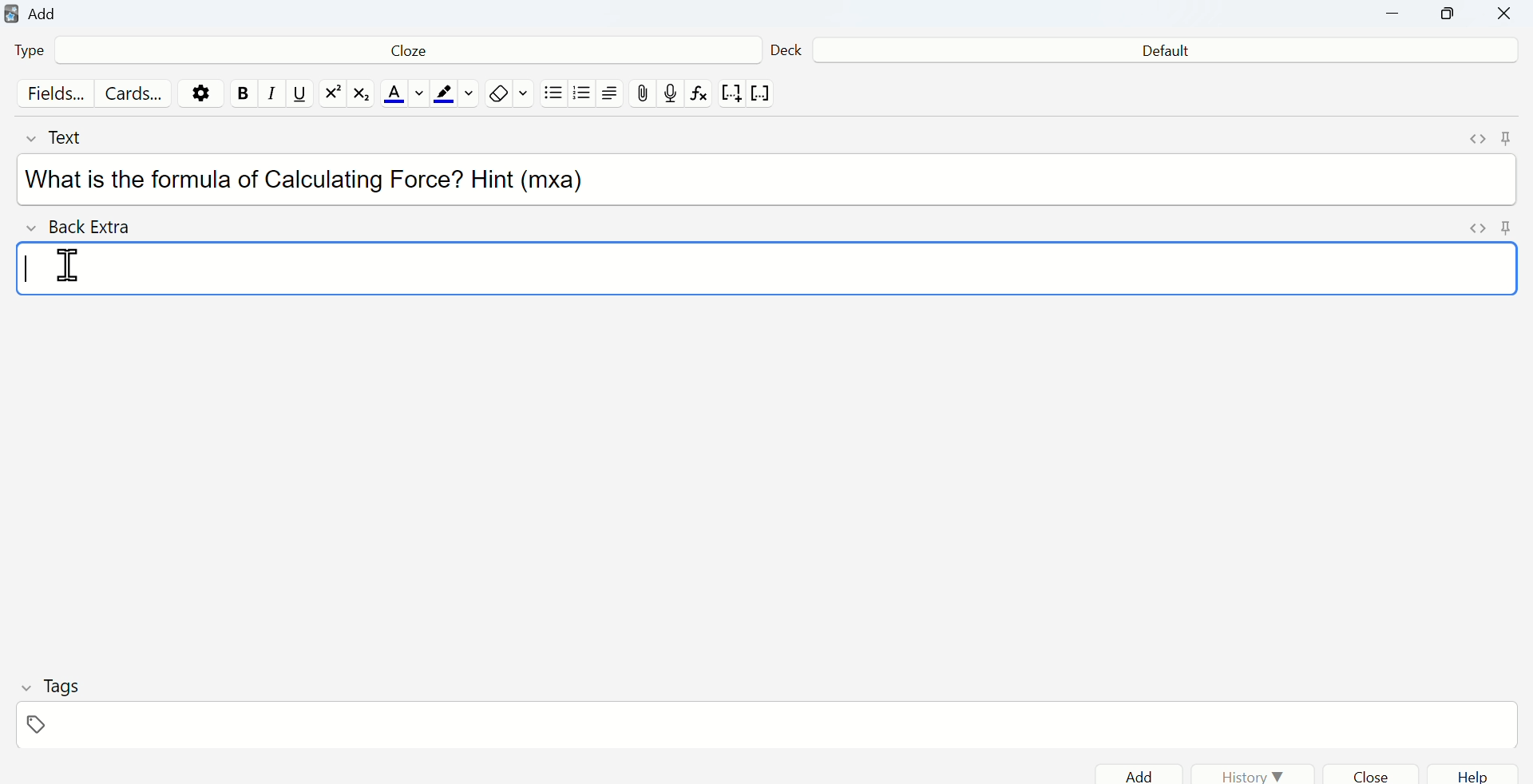 Image resolution: width=1533 pixels, height=784 pixels. I want to click on Close, so click(1503, 16).